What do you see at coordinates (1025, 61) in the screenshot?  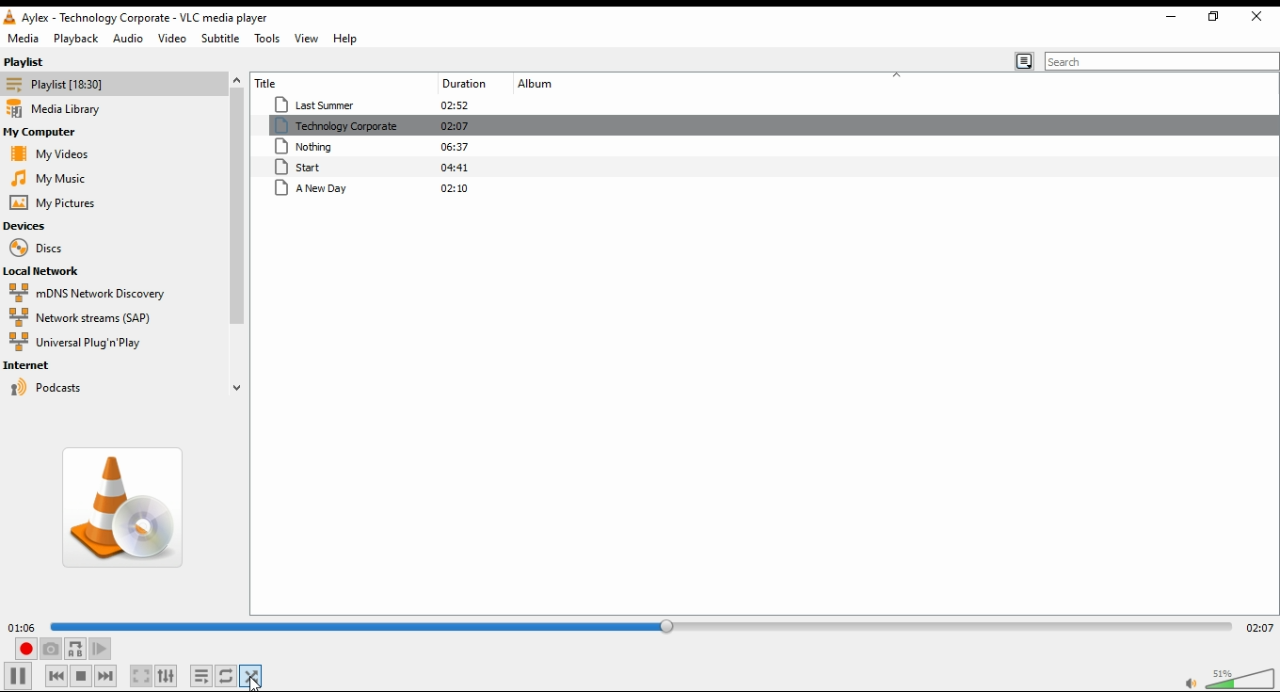 I see `toggle playlistview` at bounding box center [1025, 61].